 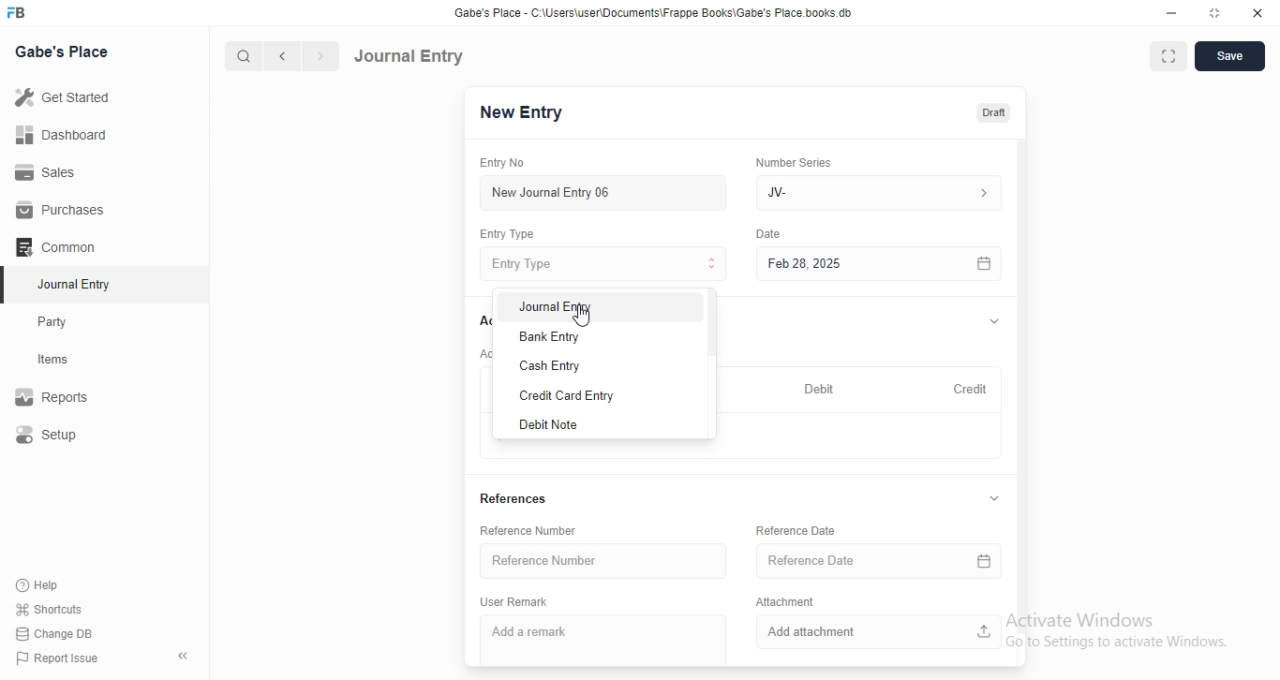 What do you see at coordinates (60, 633) in the screenshot?
I see `Change DB` at bounding box center [60, 633].